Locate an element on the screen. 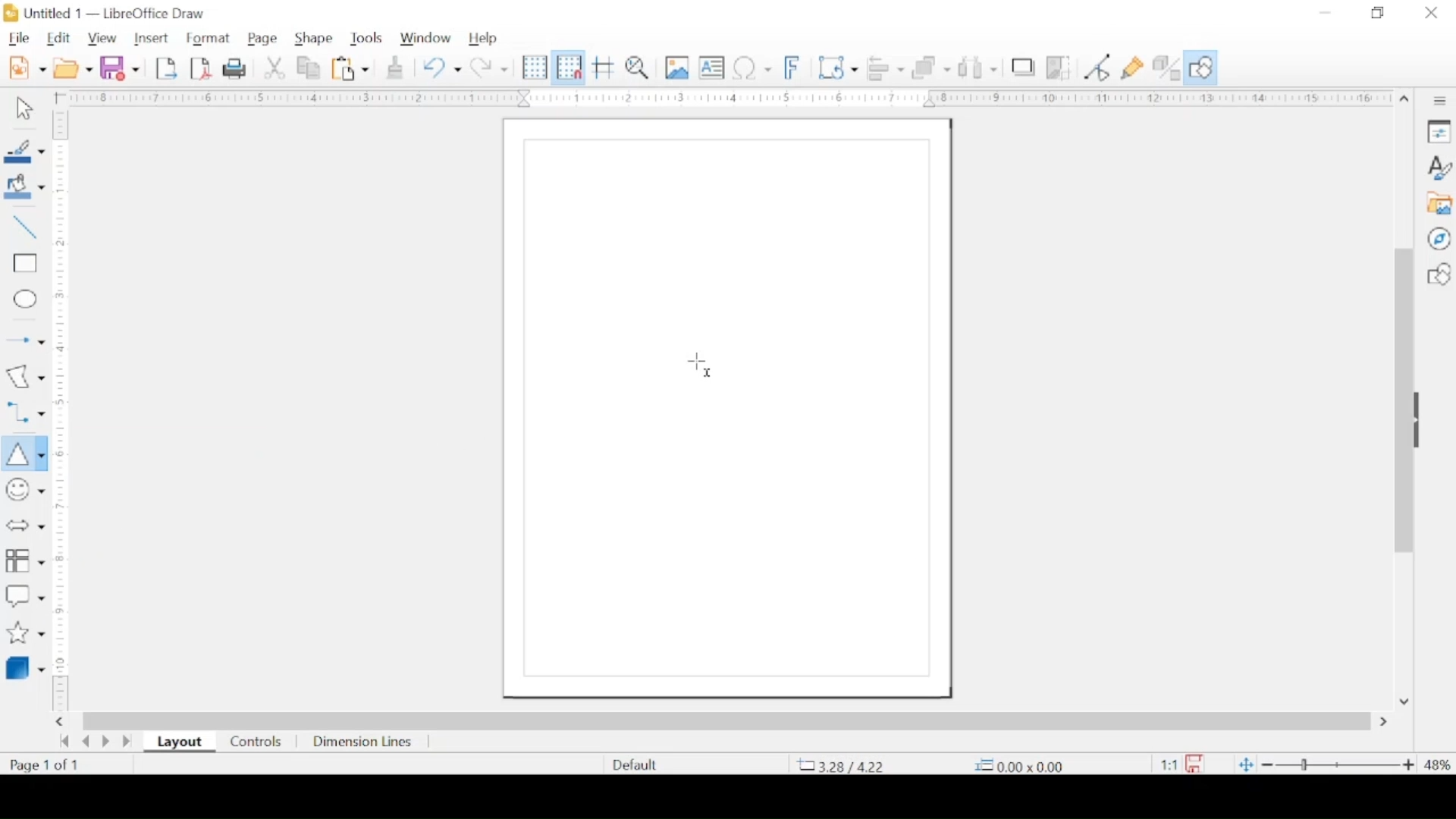 The image size is (1456, 819). sidebar settings is located at coordinates (1442, 102).